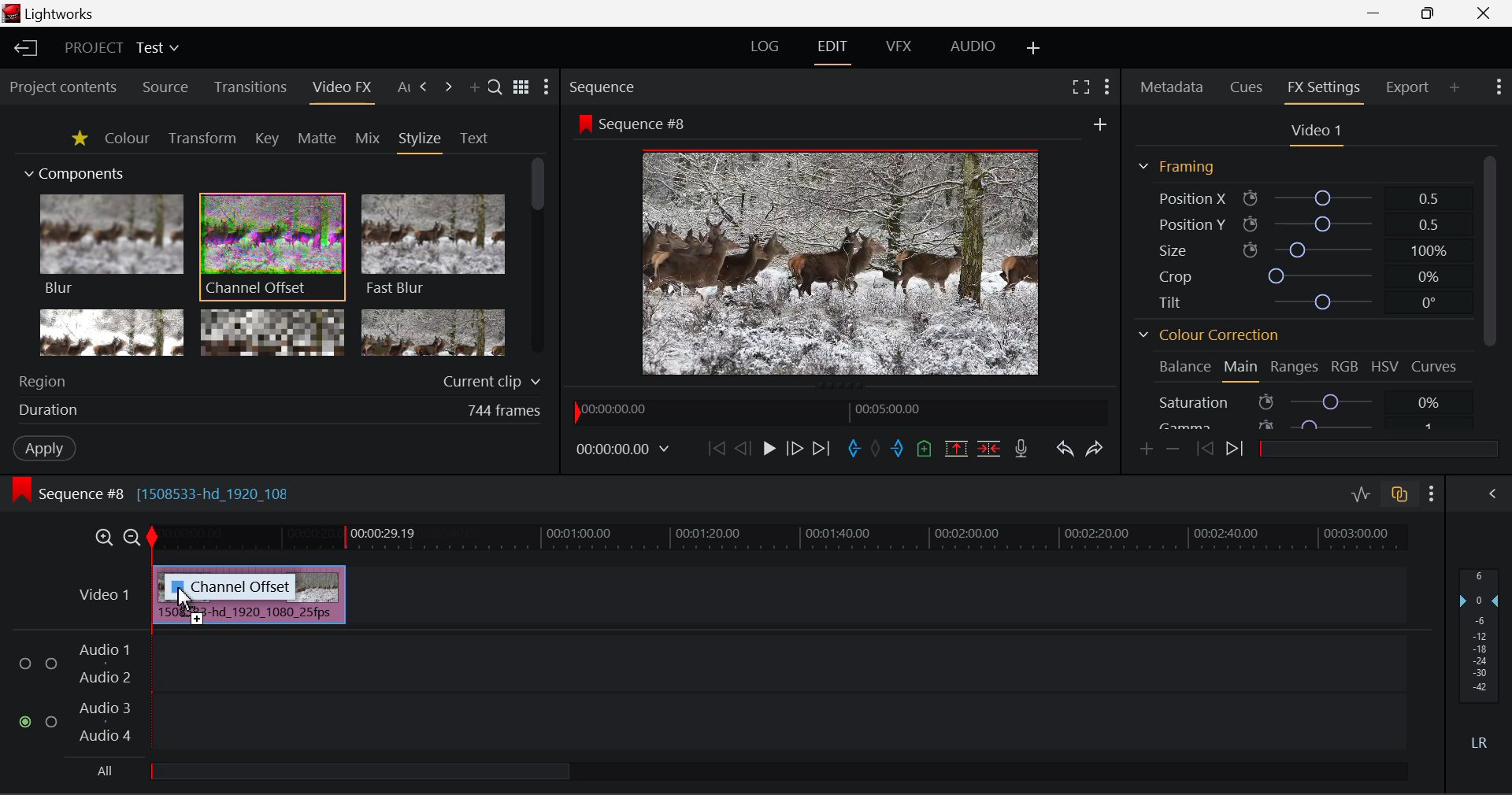 This screenshot has height=795, width=1512. What do you see at coordinates (448, 87) in the screenshot?
I see `Next Tab` at bounding box center [448, 87].